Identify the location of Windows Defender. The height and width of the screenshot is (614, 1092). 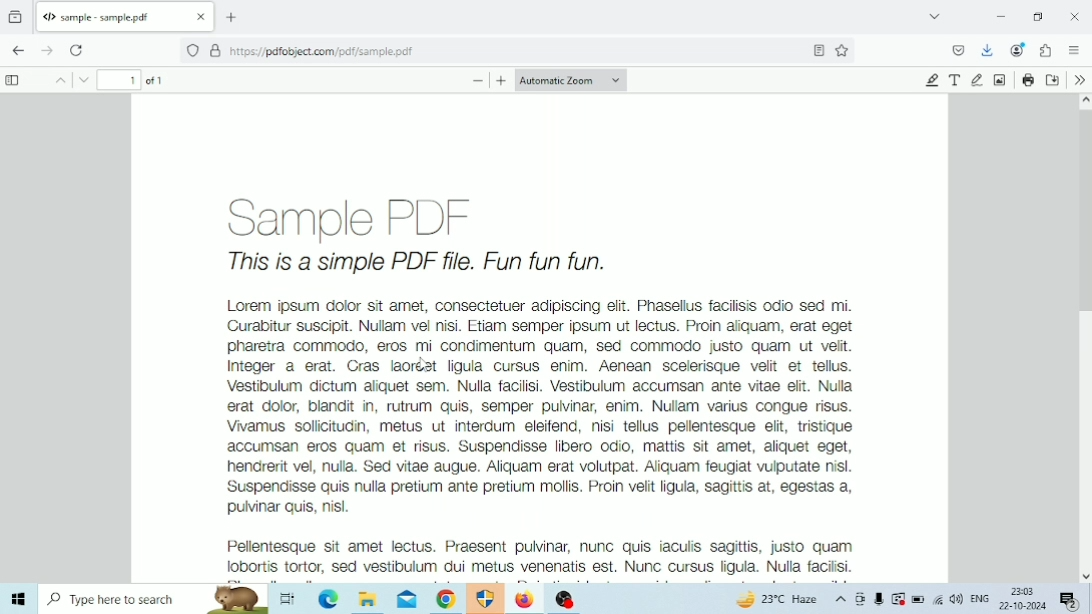
(487, 599).